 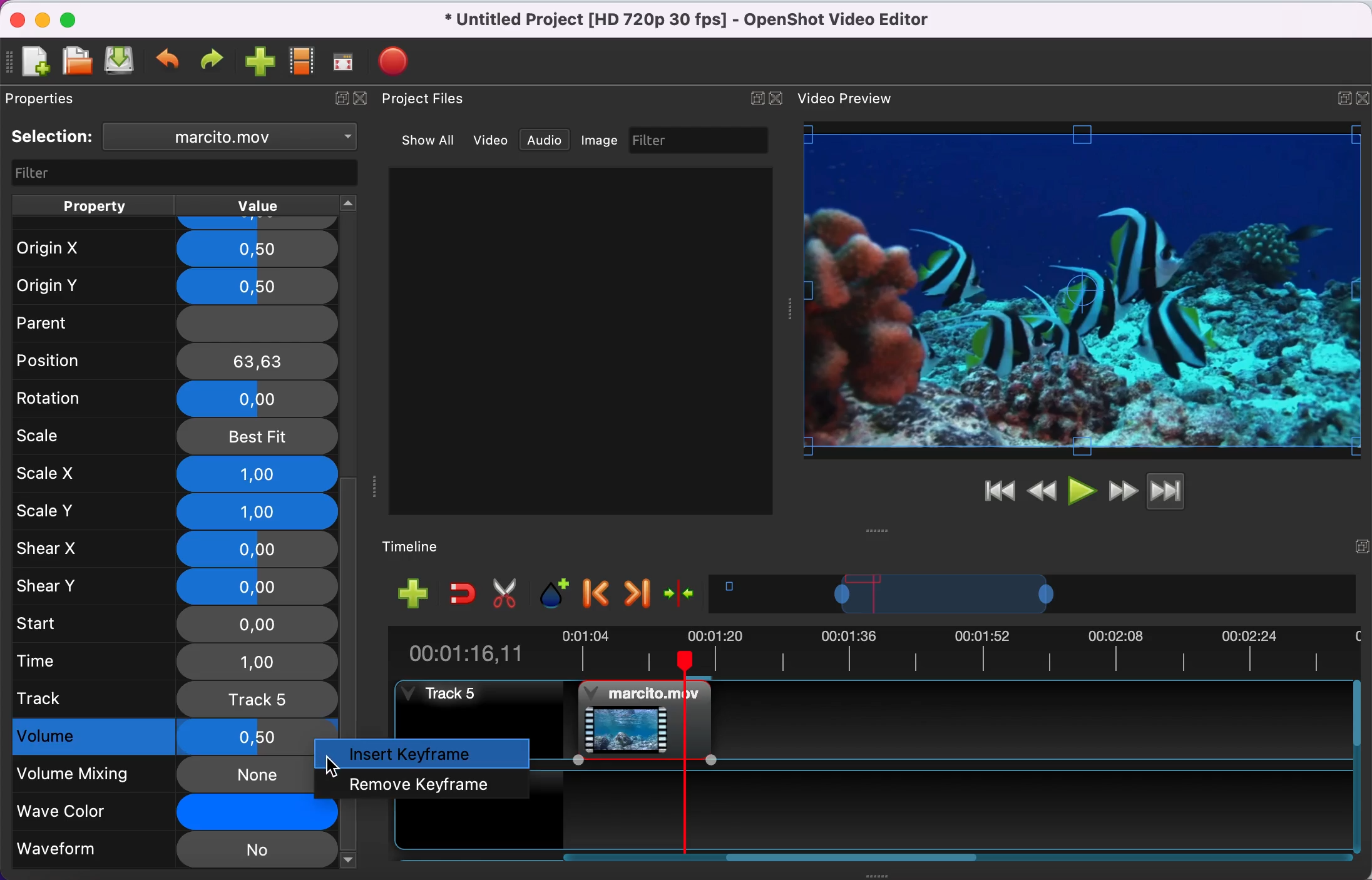 What do you see at coordinates (1339, 95) in the screenshot?
I see `maximize` at bounding box center [1339, 95].